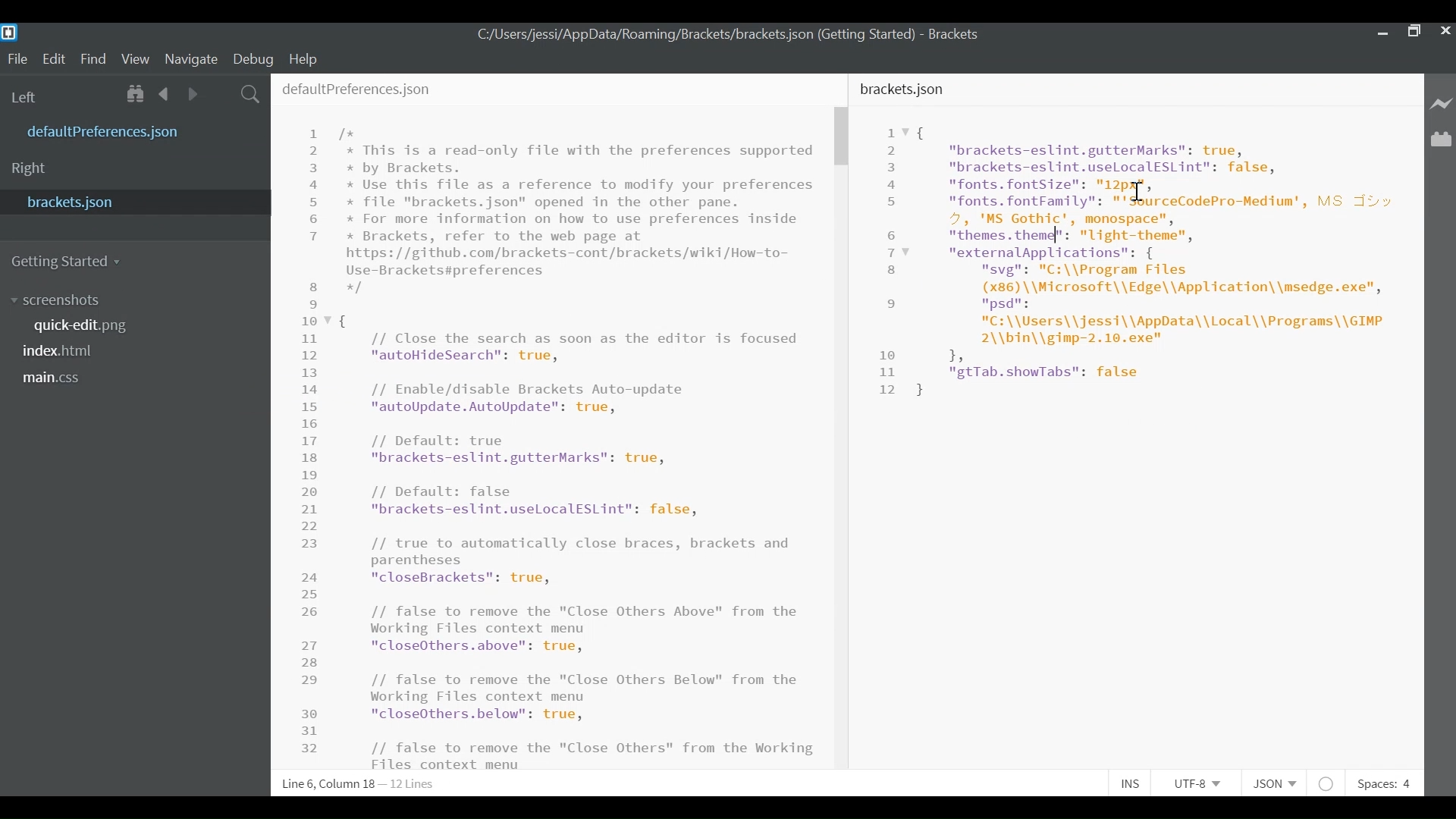 This screenshot has width=1456, height=819. Describe the element at coordinates (75, 301) in the screenshot. I see `screenshot` at that location.